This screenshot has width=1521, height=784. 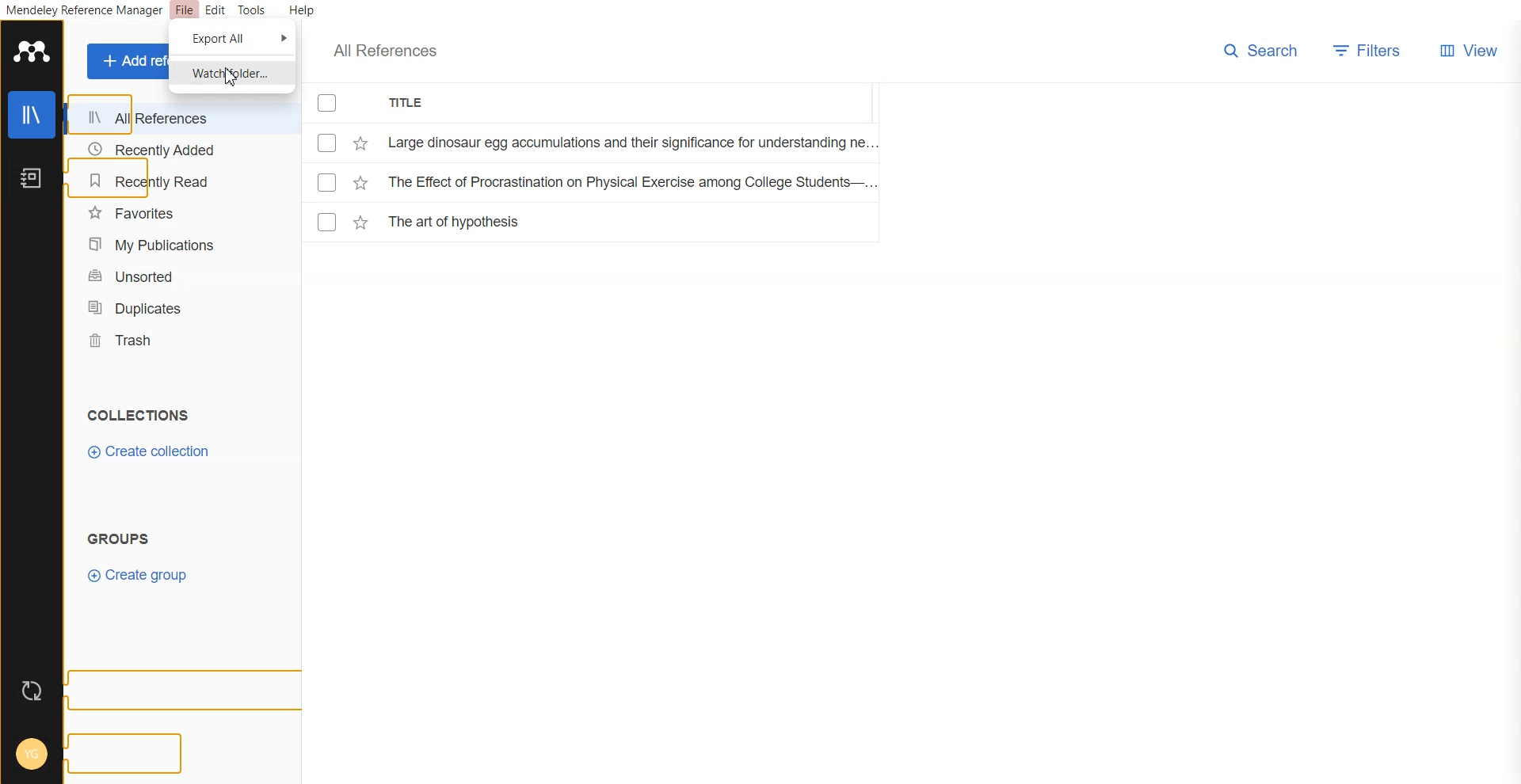 What do you see at coordinates (149, 453) in the screenshot?
I see `Create collection` at bounding box center [149, 453].